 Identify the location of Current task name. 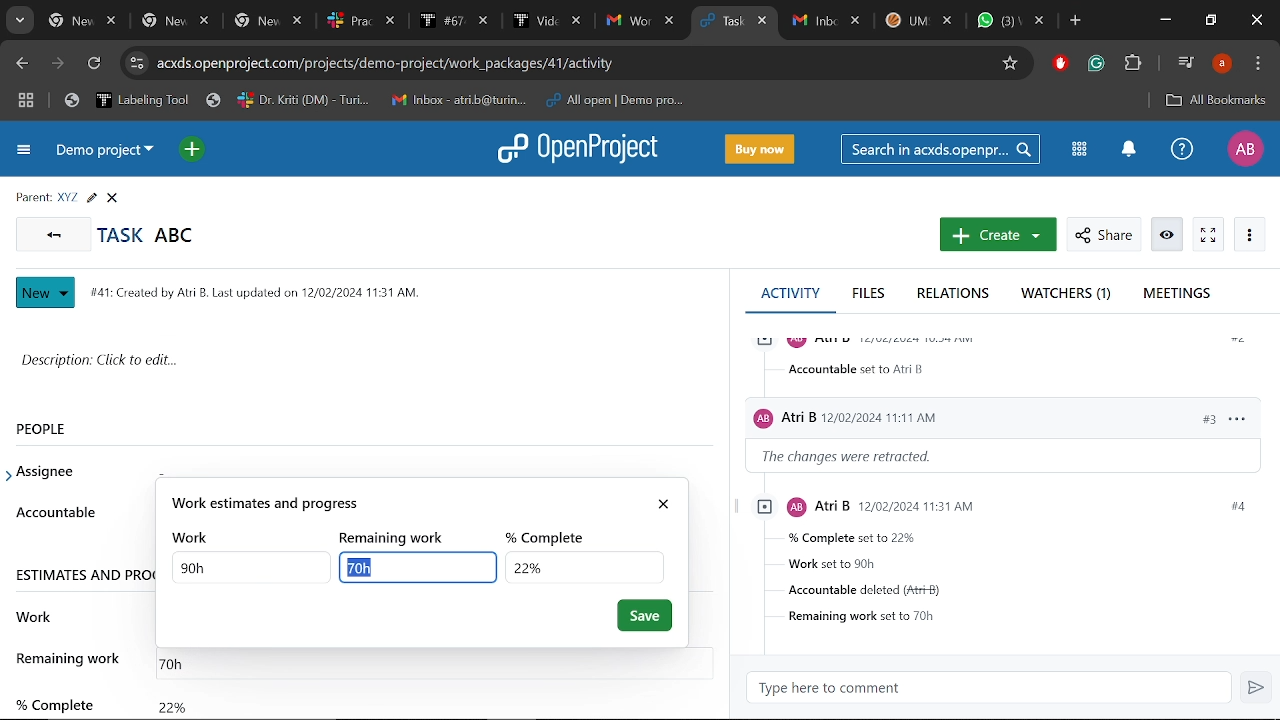
(153, 234).